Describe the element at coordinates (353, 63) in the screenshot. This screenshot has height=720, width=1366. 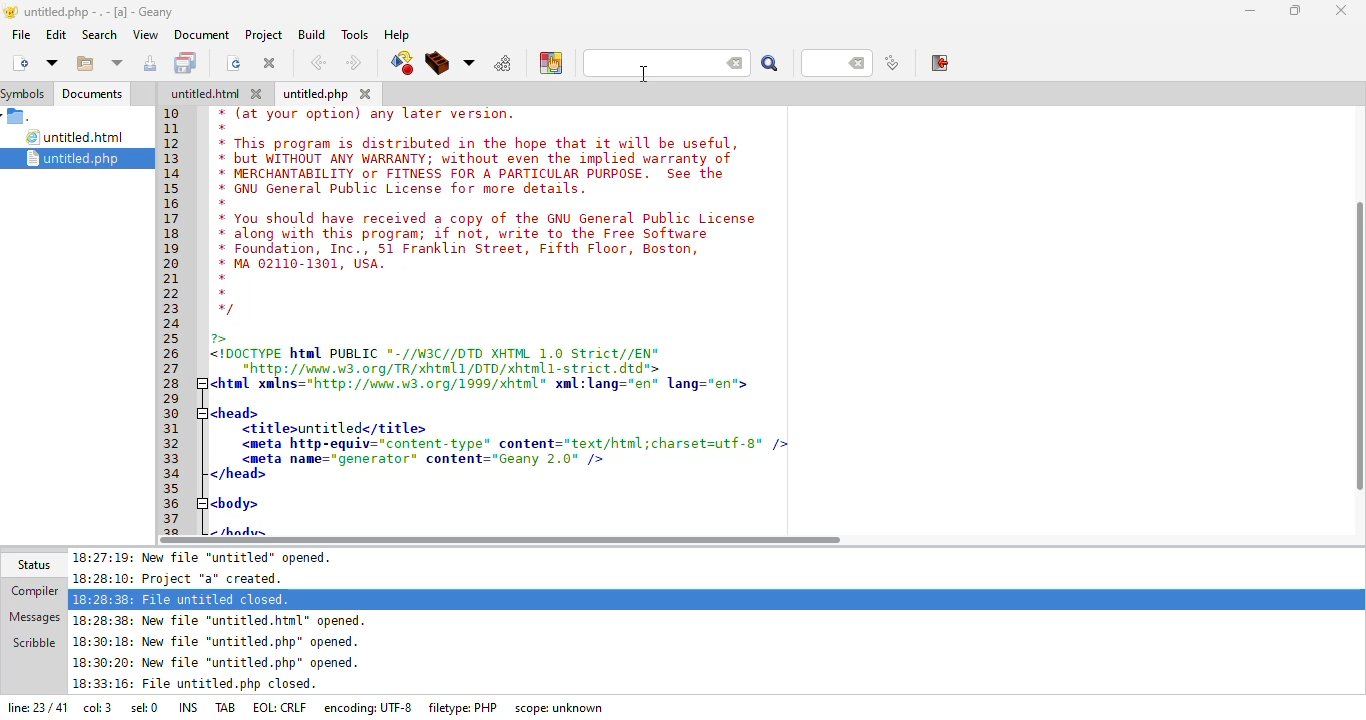
I see `next` at that location.